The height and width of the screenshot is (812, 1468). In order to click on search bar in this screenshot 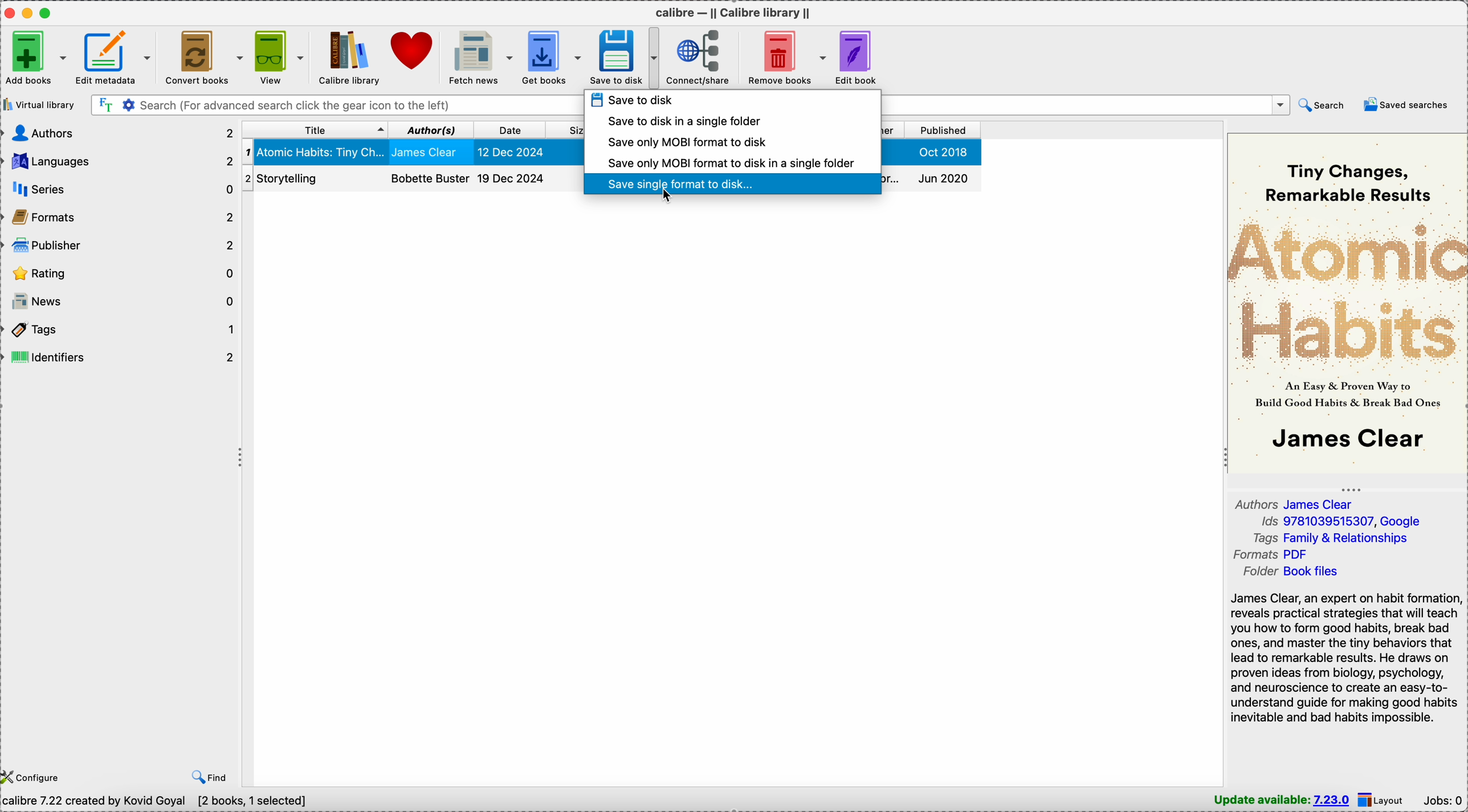, I will do `click(335, 105)`.